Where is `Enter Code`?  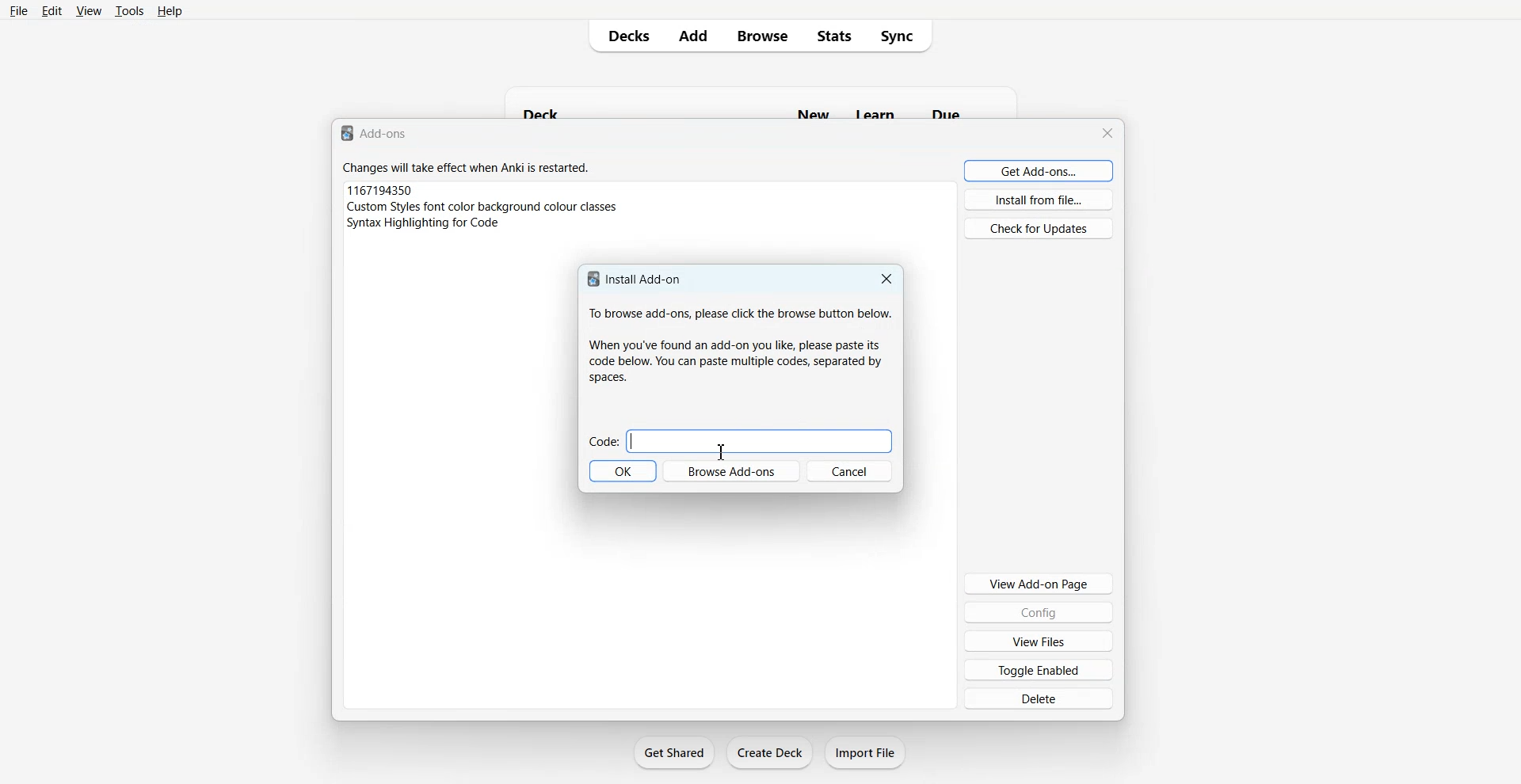
Enter Code is located at coordinates (742, 442).